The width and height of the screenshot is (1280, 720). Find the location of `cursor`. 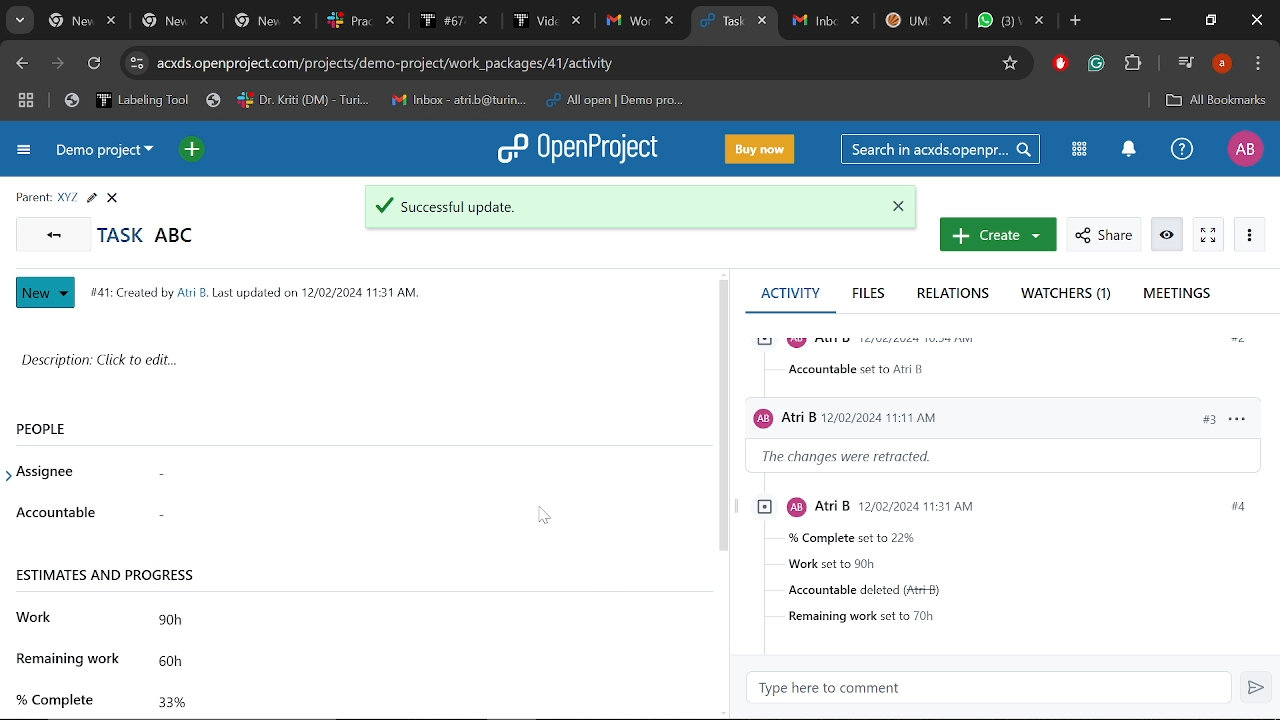

cursor is located at coordinates (543, 514).